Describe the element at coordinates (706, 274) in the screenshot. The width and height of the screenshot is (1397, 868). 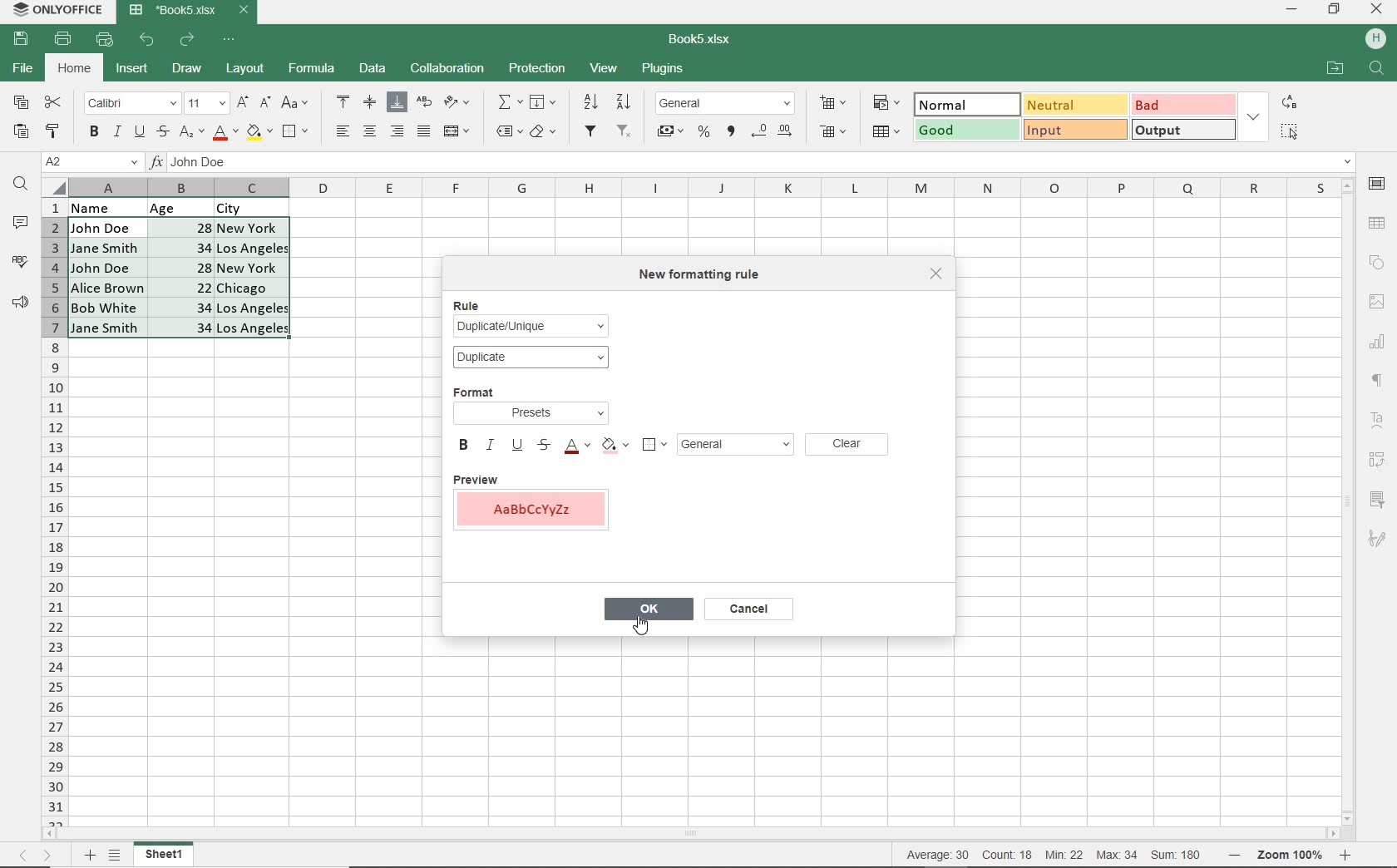
I see `NEW FORMATTING RULE` at that location.